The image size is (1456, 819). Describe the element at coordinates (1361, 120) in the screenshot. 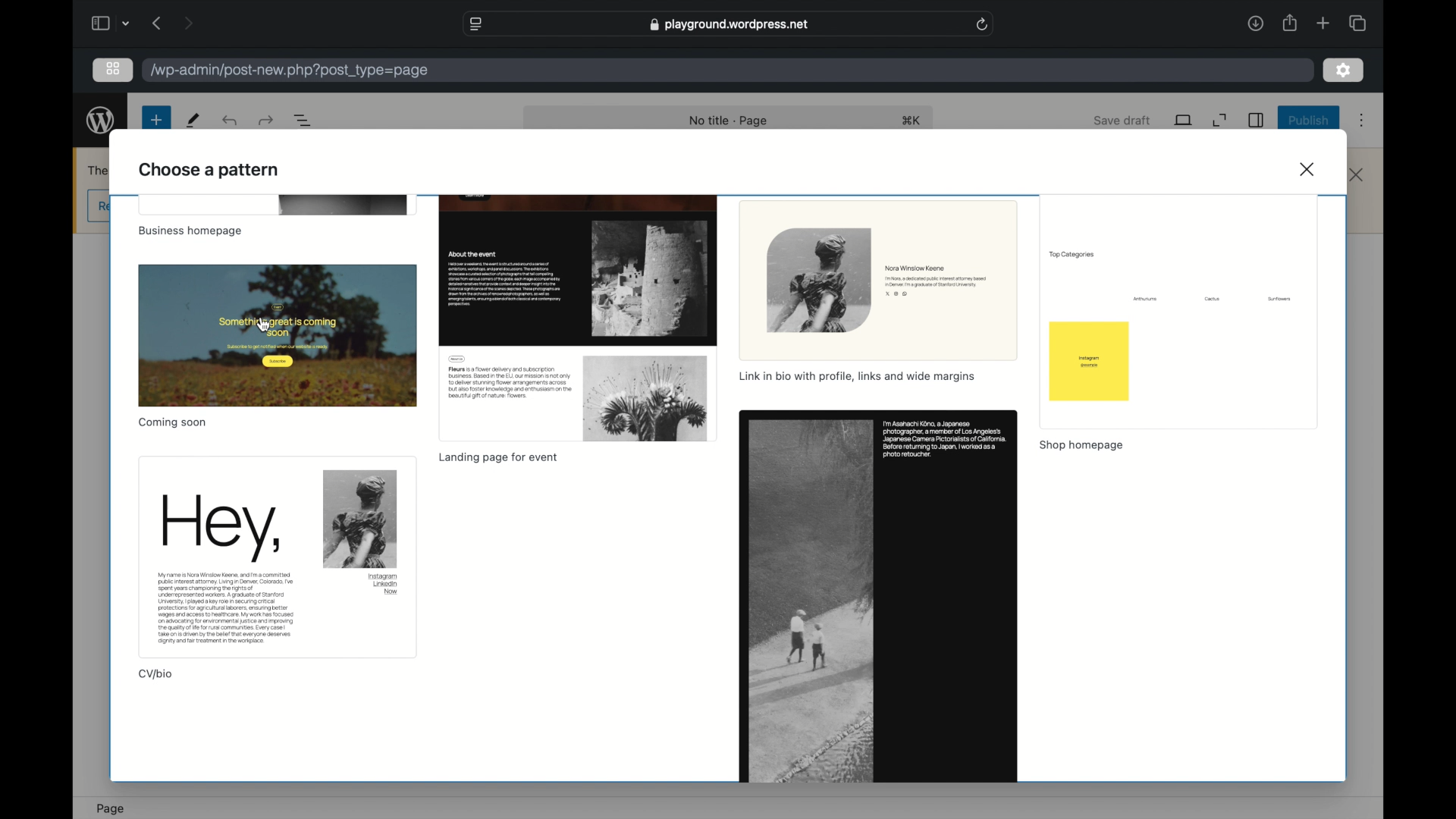

I see `more options` at that location.